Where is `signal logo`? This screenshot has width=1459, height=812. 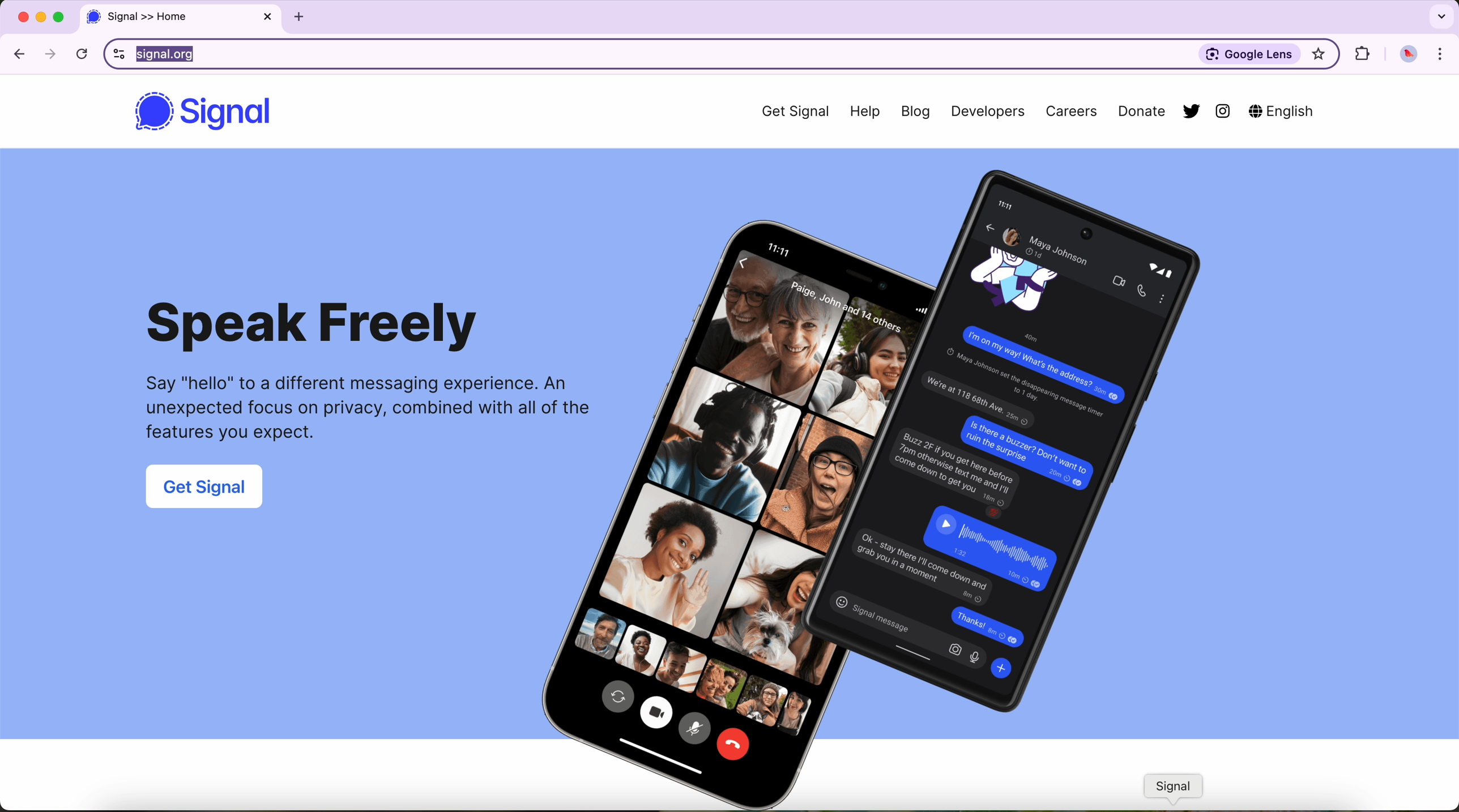 signal logo is located at coordinates (152, 113).